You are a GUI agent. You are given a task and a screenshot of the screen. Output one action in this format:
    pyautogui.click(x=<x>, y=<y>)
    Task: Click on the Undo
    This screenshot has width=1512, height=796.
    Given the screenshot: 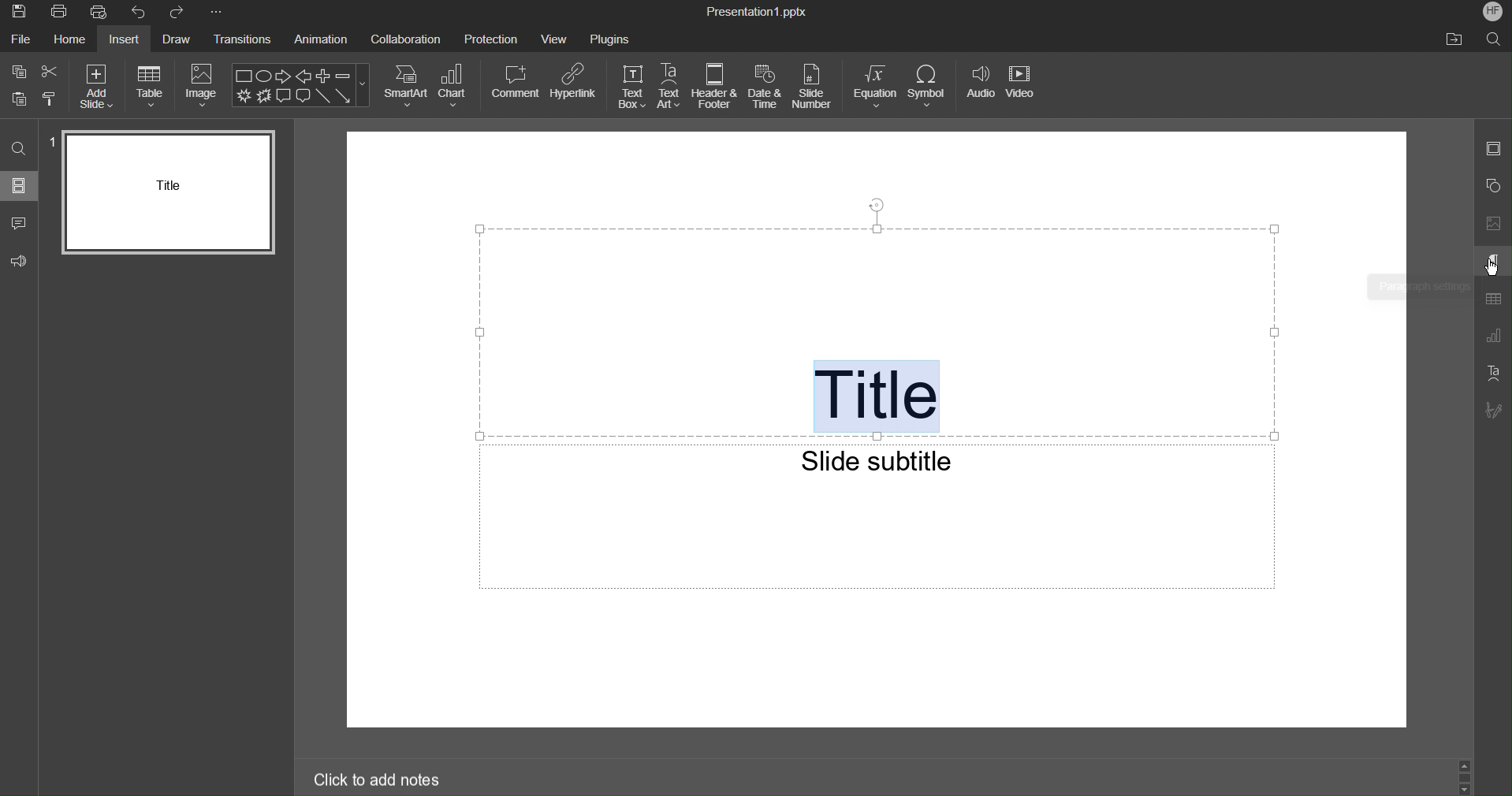 What is the action you would take?
    pyautogui.click(x=140, y=13)
    